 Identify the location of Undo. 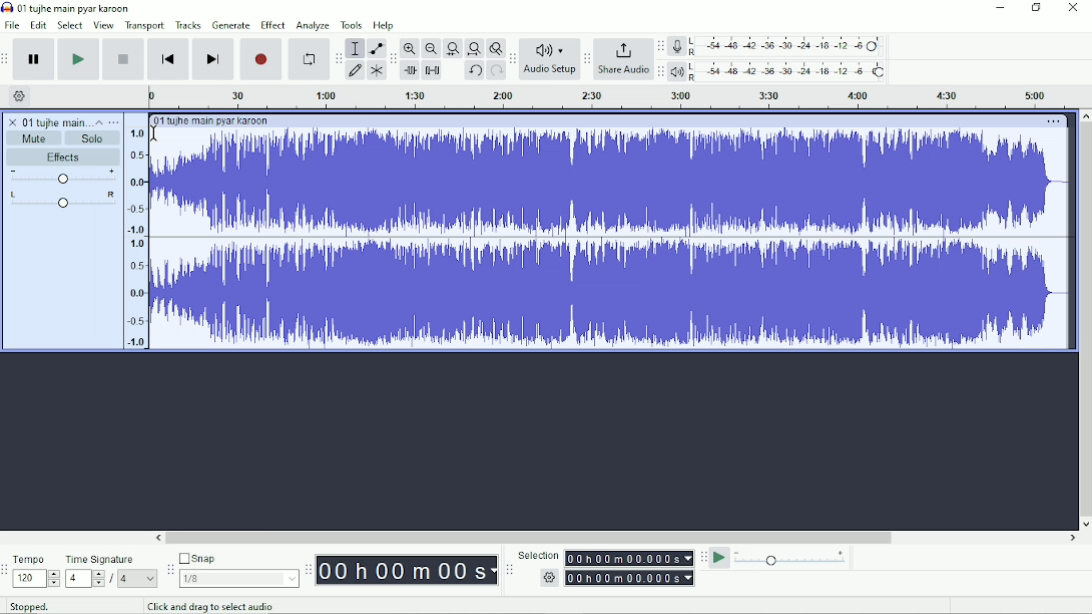
(474, 71).